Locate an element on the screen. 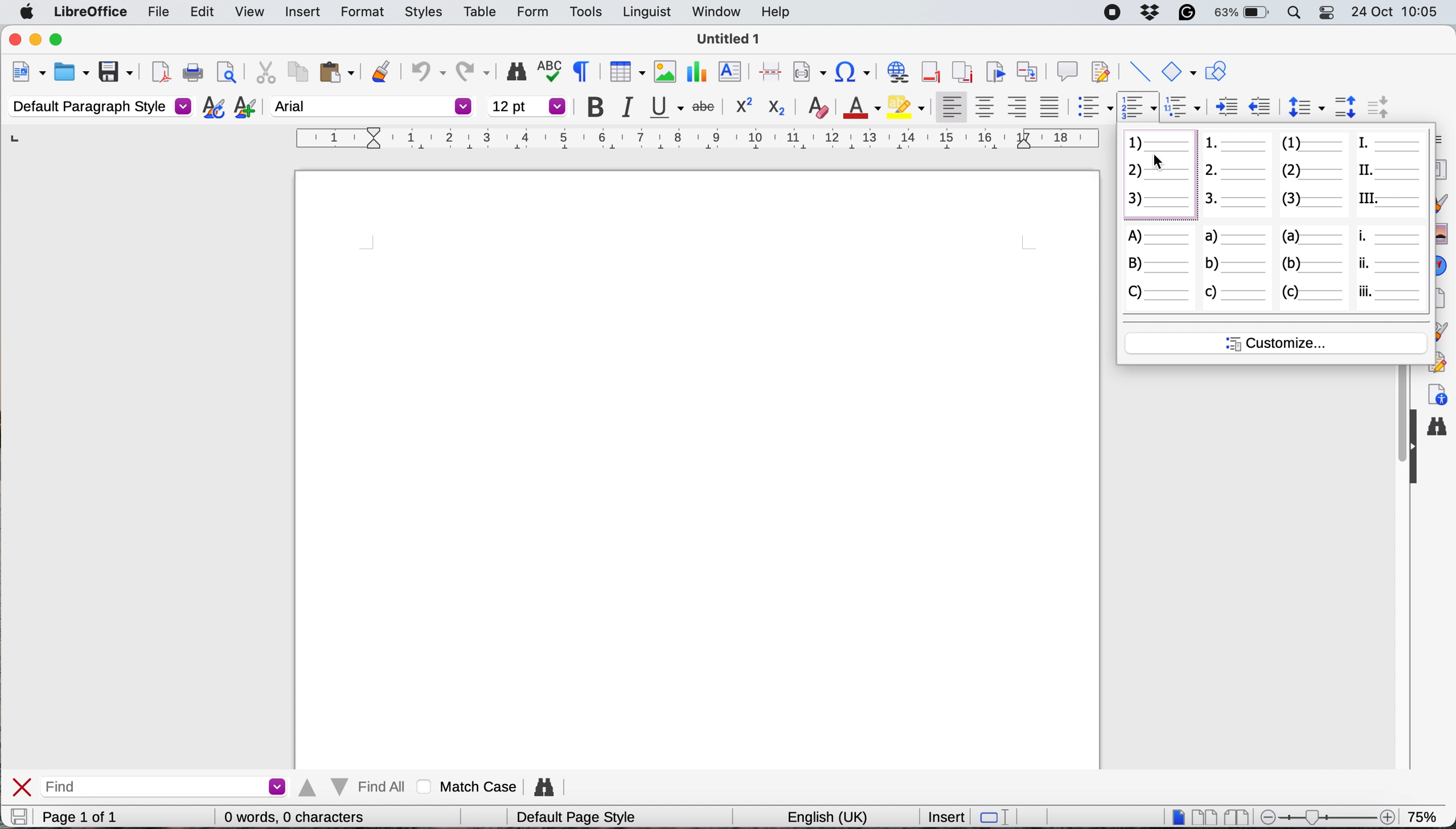  find is located at coordinates (168, 786).